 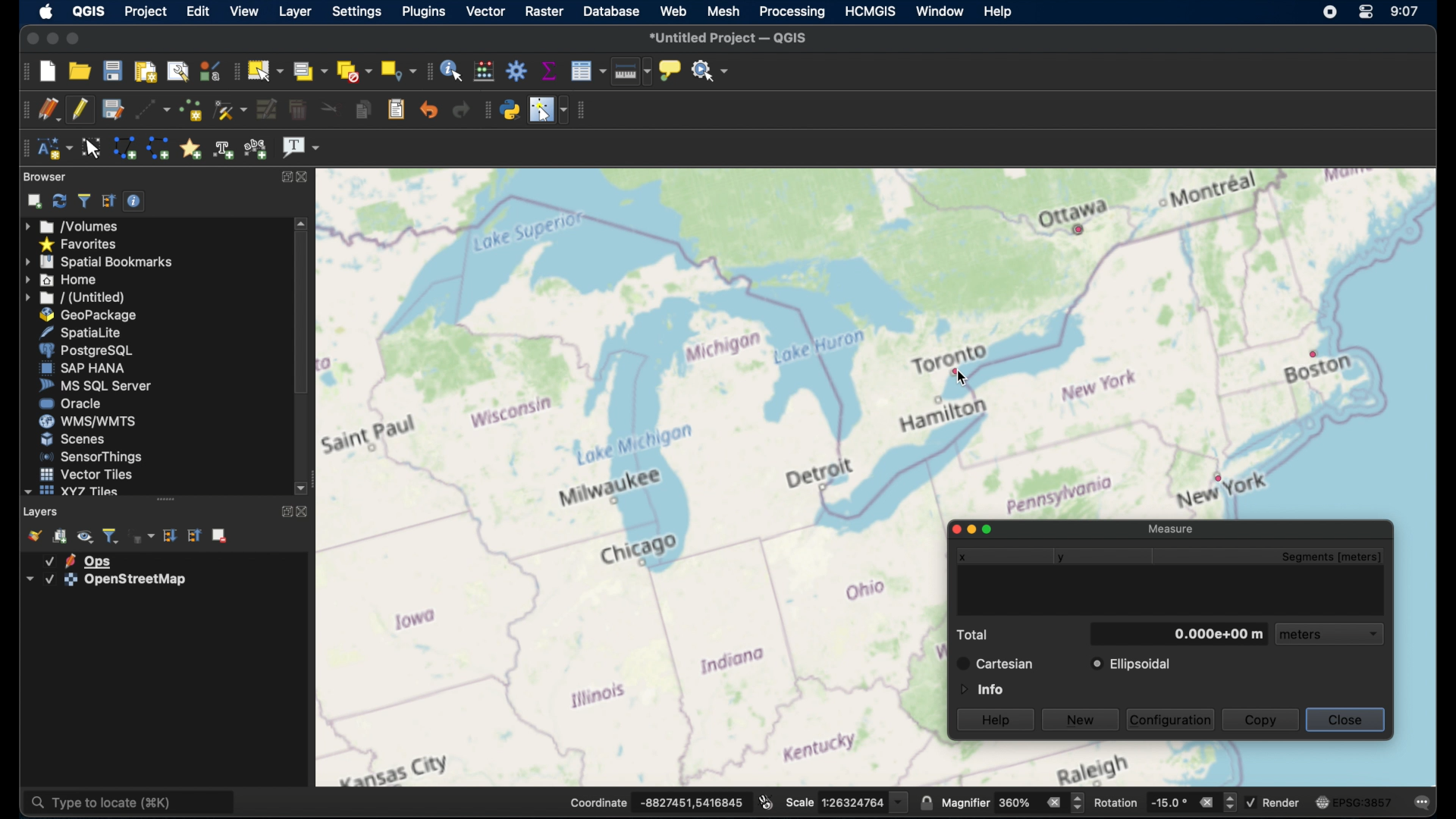 What do you see at coordinates (87, 422) in the screenshot?
I see `wms/wmts` at bounding box center [87, 422].